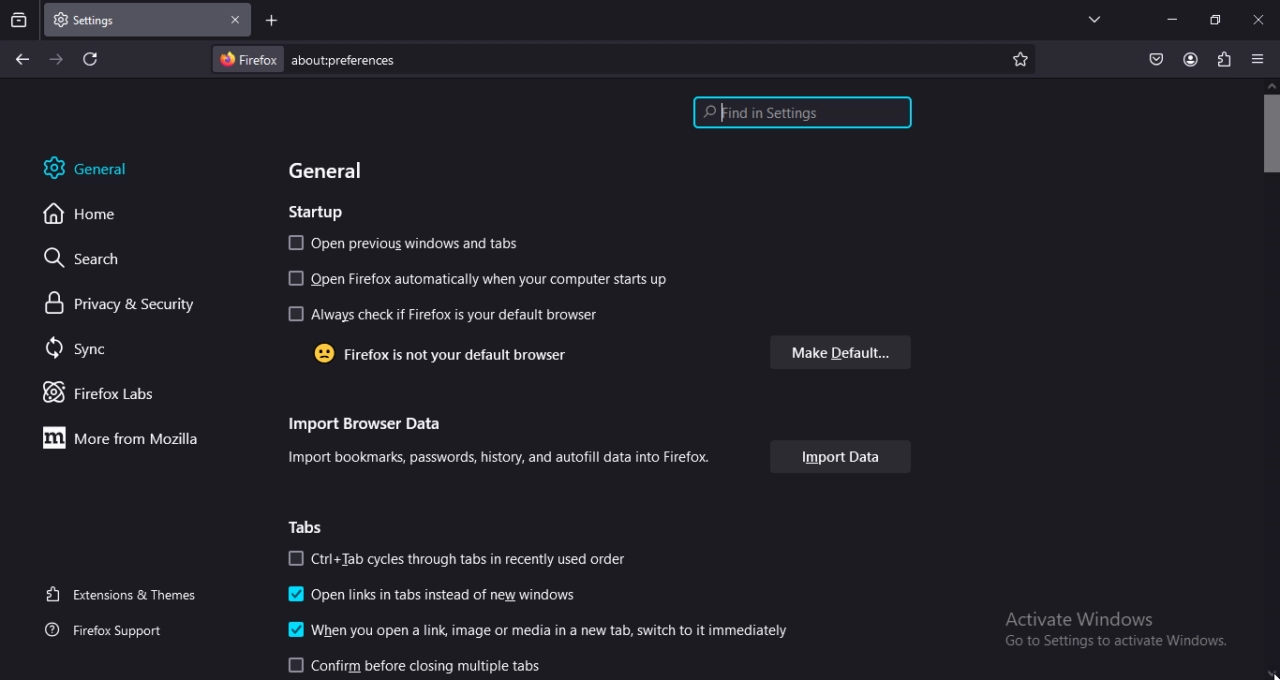  What do you see at coordinates (271, 21) in the screenshot?
I see `new tab` at bounding box center [271, 21].